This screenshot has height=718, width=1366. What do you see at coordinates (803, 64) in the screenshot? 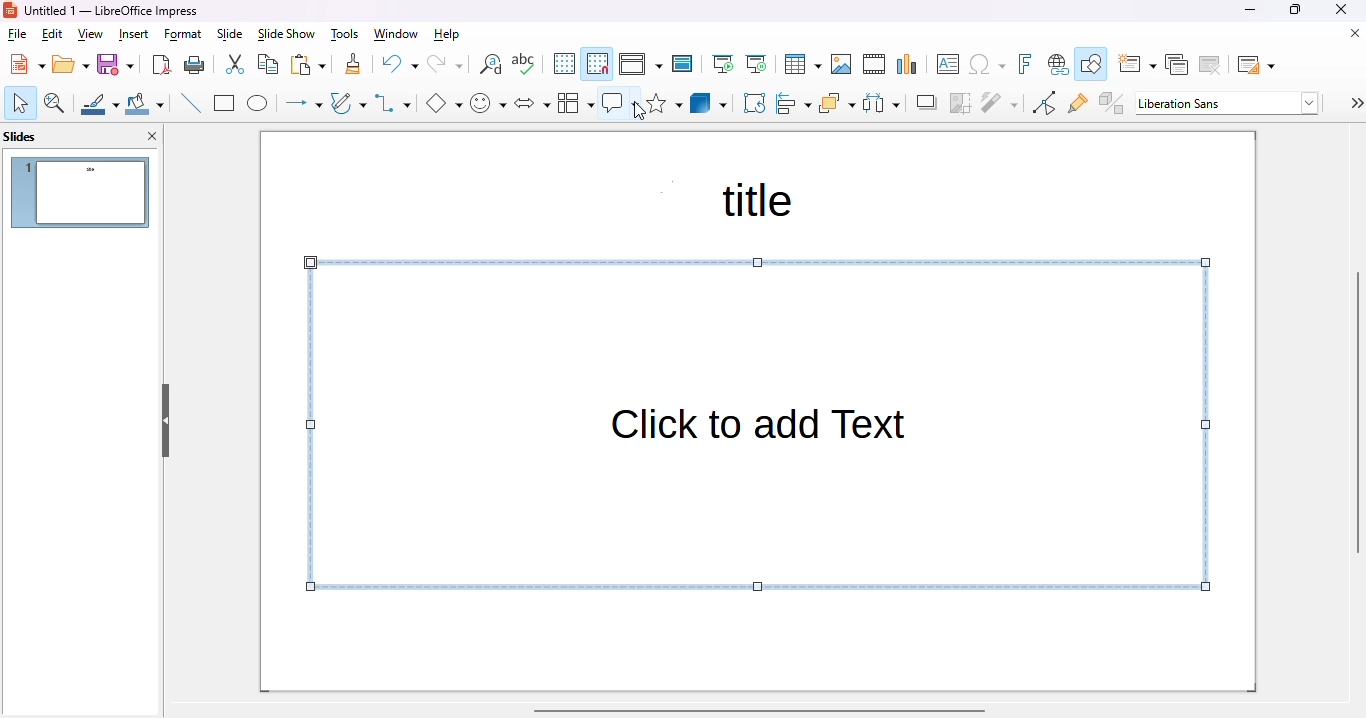
I see `table` at bounding box center [803, 64].